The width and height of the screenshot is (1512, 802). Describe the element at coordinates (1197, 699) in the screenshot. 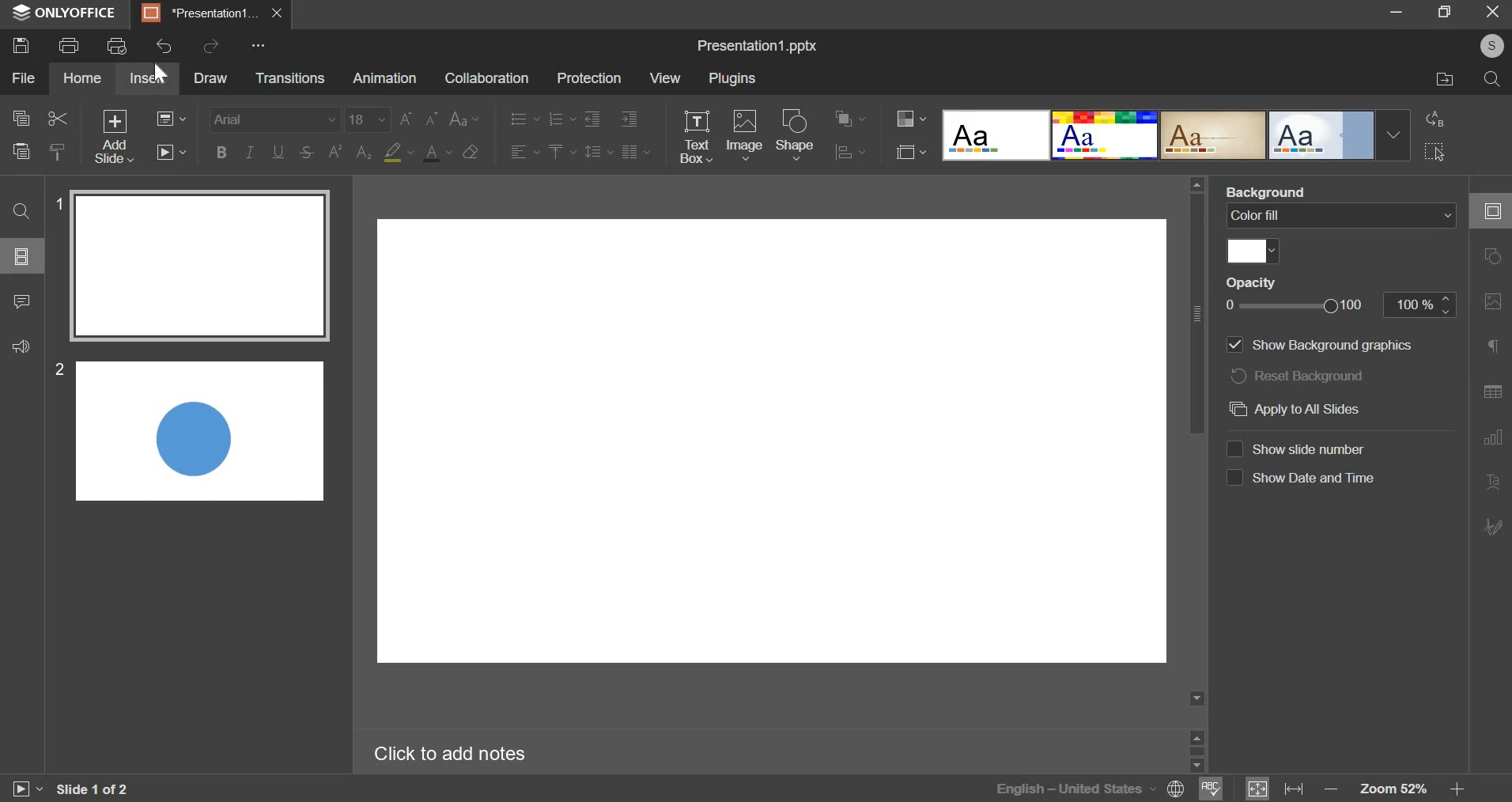

I see `scroll down` at that location.